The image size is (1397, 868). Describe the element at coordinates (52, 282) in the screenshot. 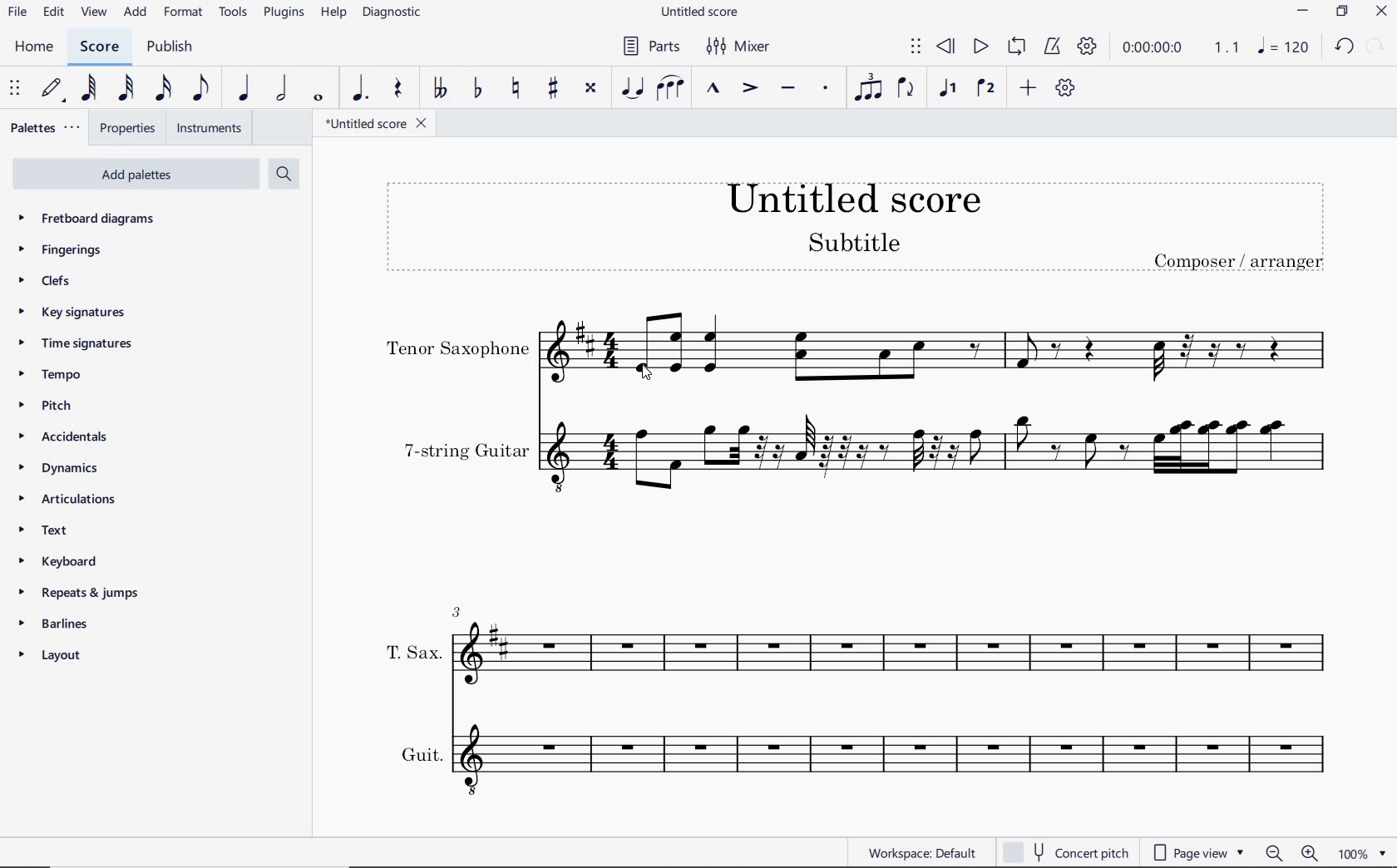

I see `CLEFS` at that location.